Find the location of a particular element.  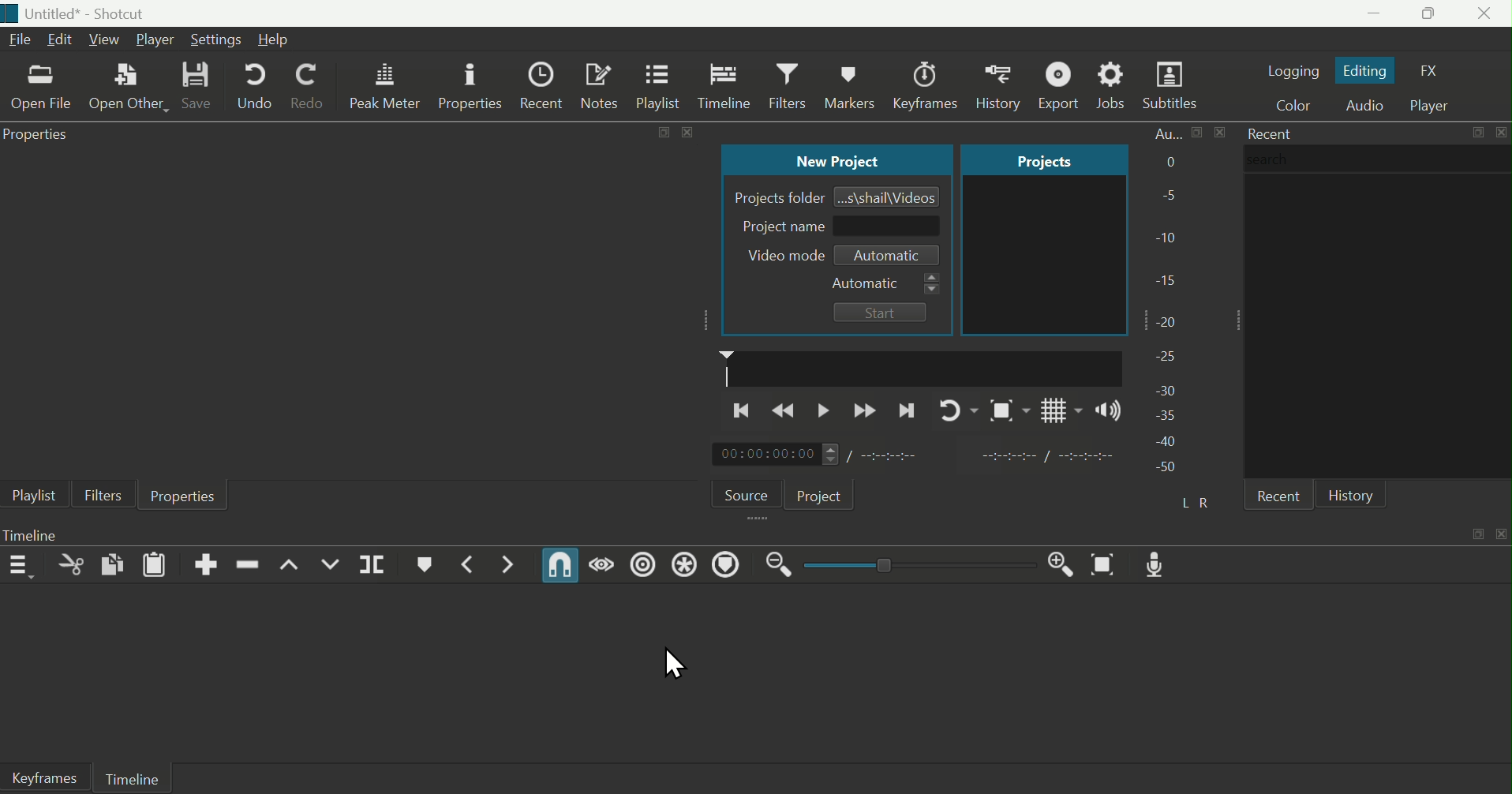

Append is located at coordinates (207, 564).